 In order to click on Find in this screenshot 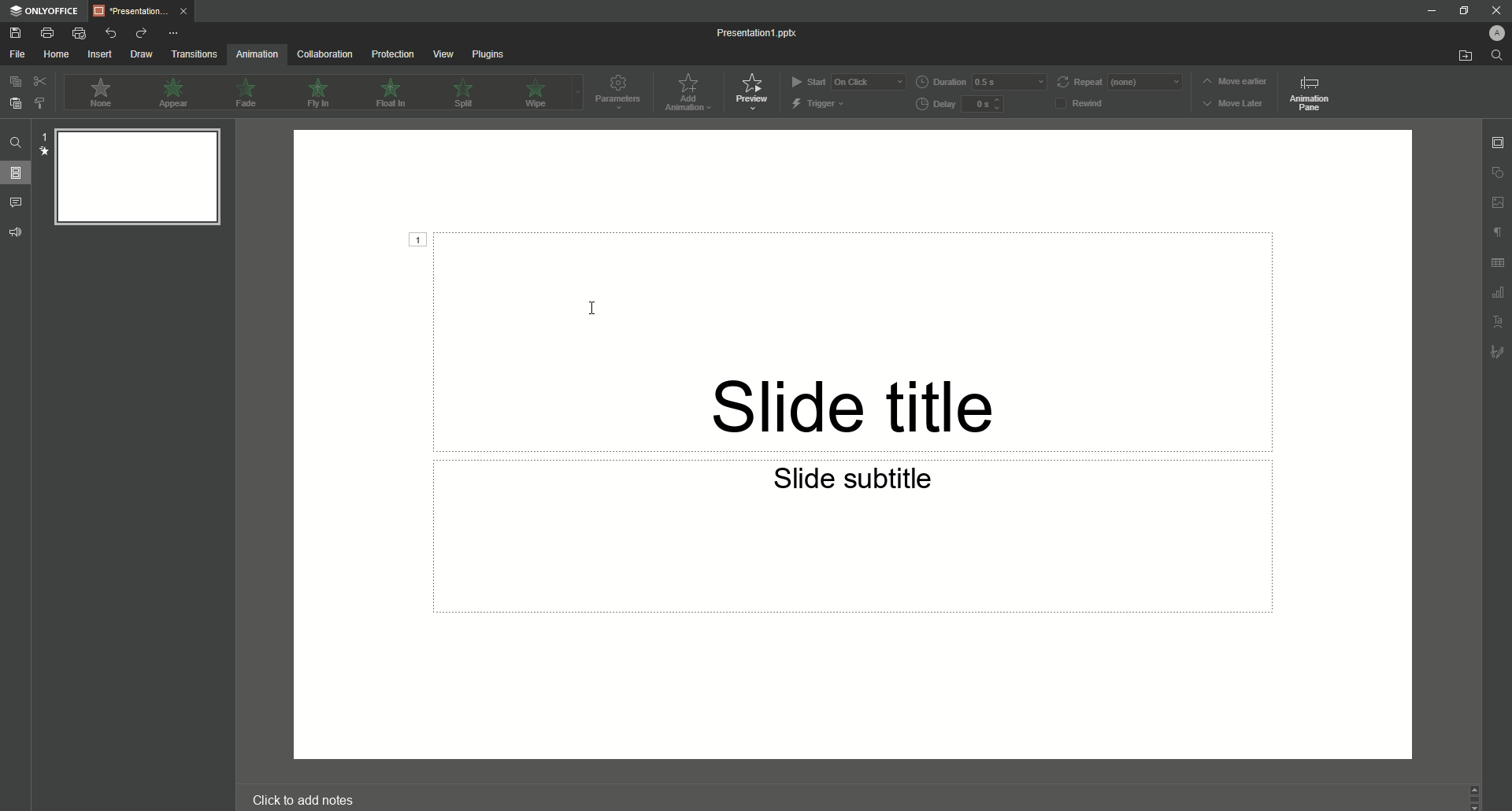, I will do `click(18, 145)`.